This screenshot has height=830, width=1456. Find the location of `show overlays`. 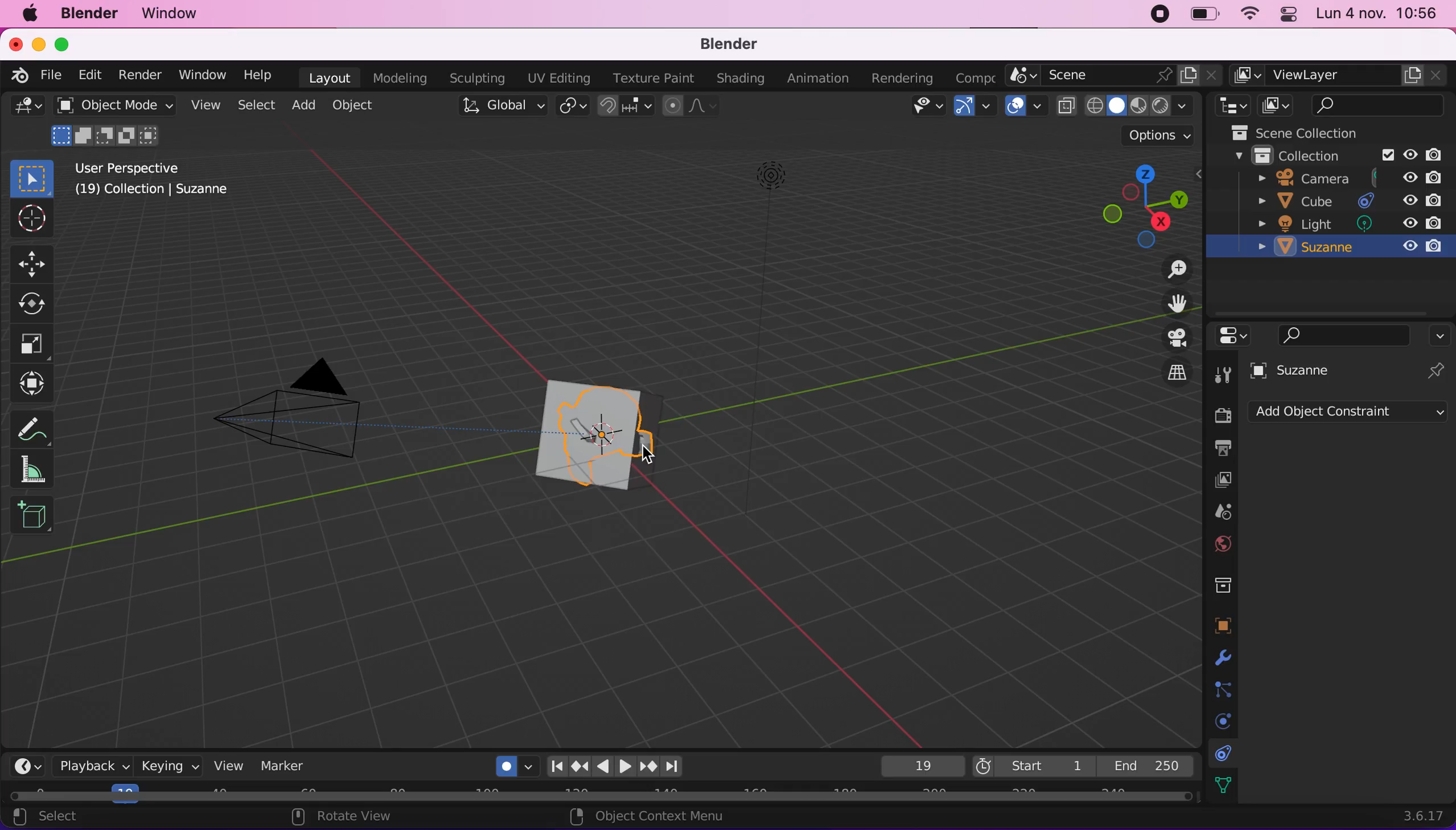

show overlays is located at coordinates (1017, 105).